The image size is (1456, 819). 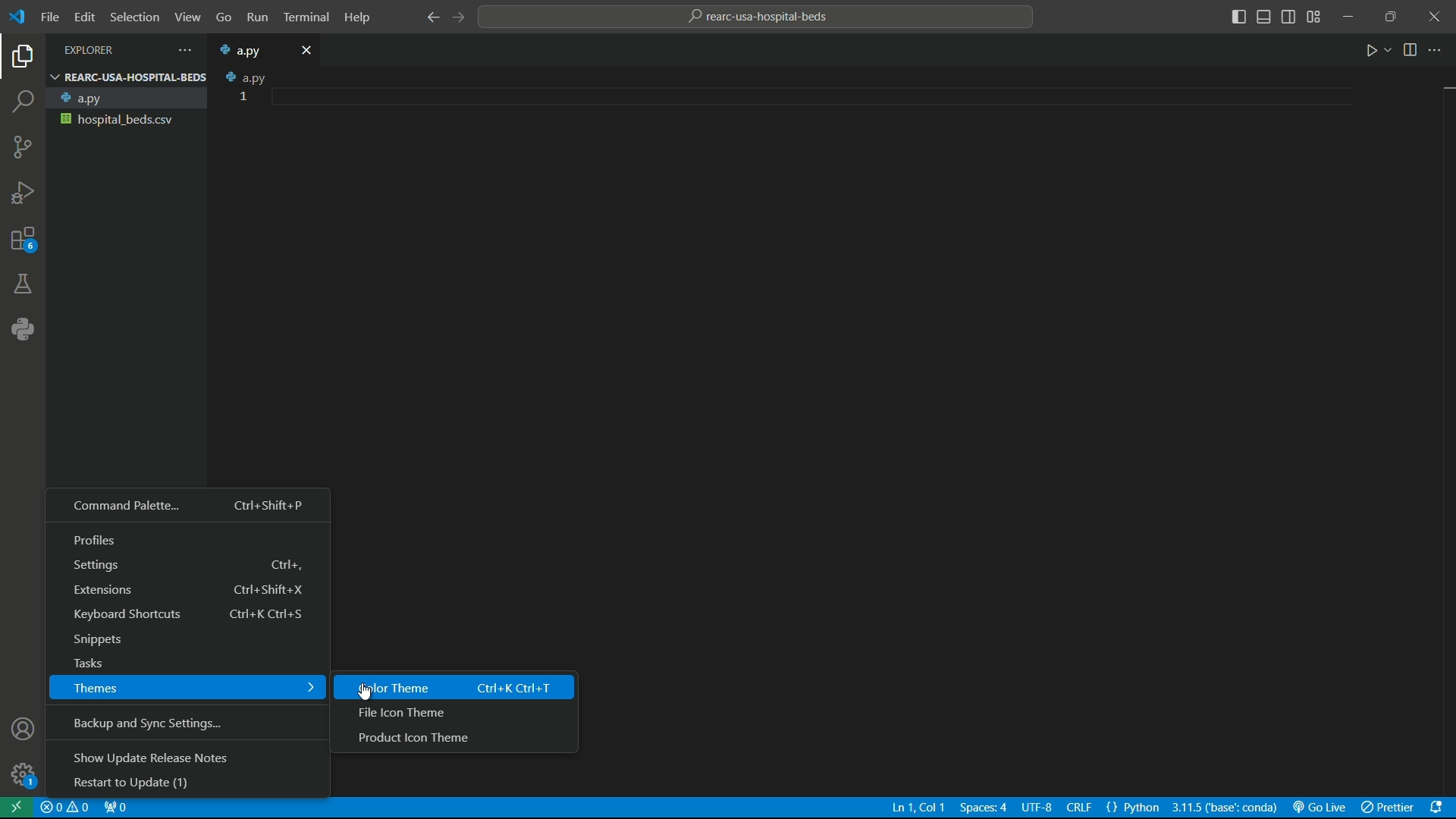 What do you see at coordinates (188, 688) in the screenshot?
I see `themes` at bounding box center [188, 688].